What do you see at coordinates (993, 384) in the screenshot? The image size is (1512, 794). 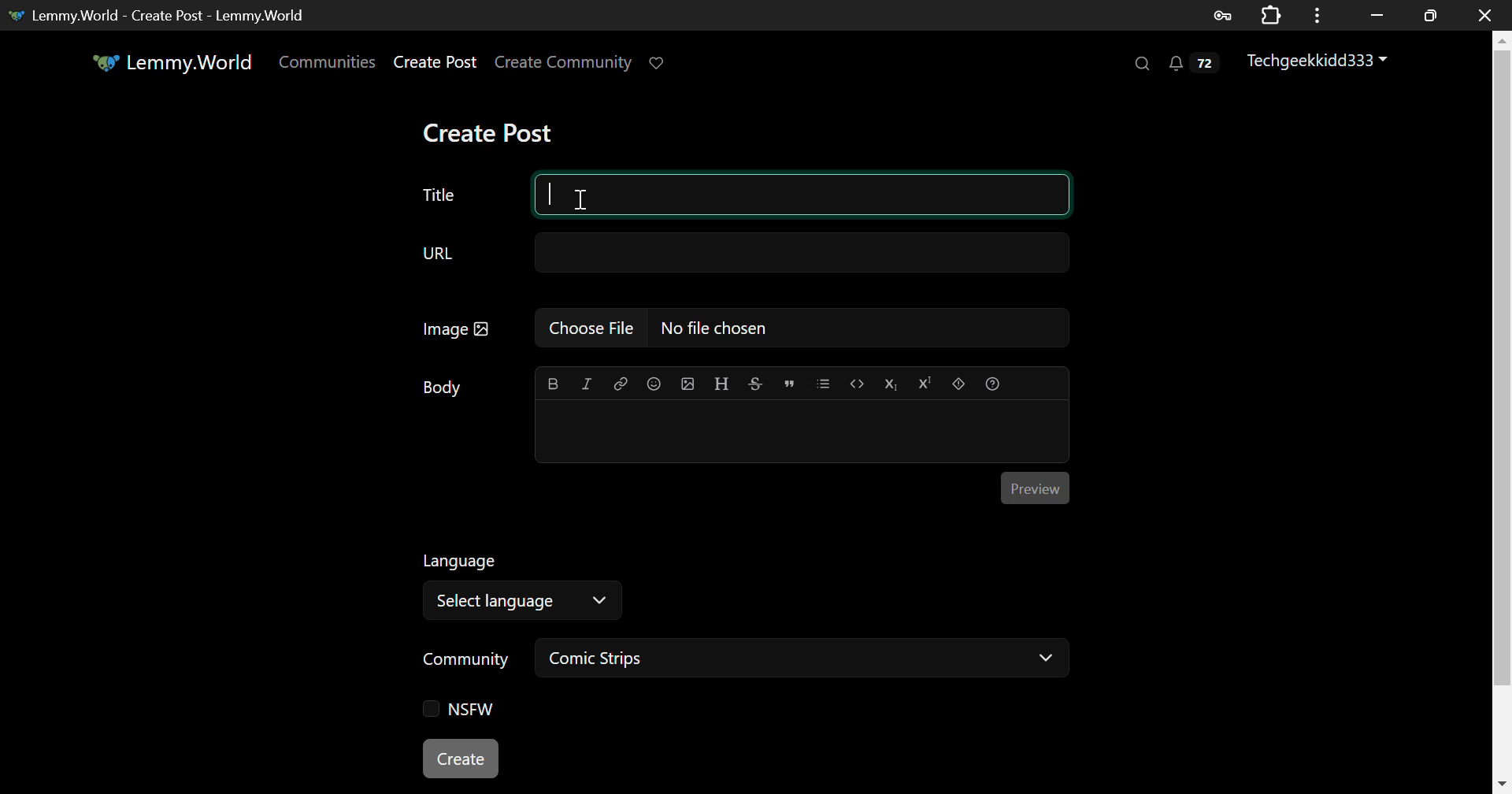 I see `Formatting Help` at bounding box center [993, 384].